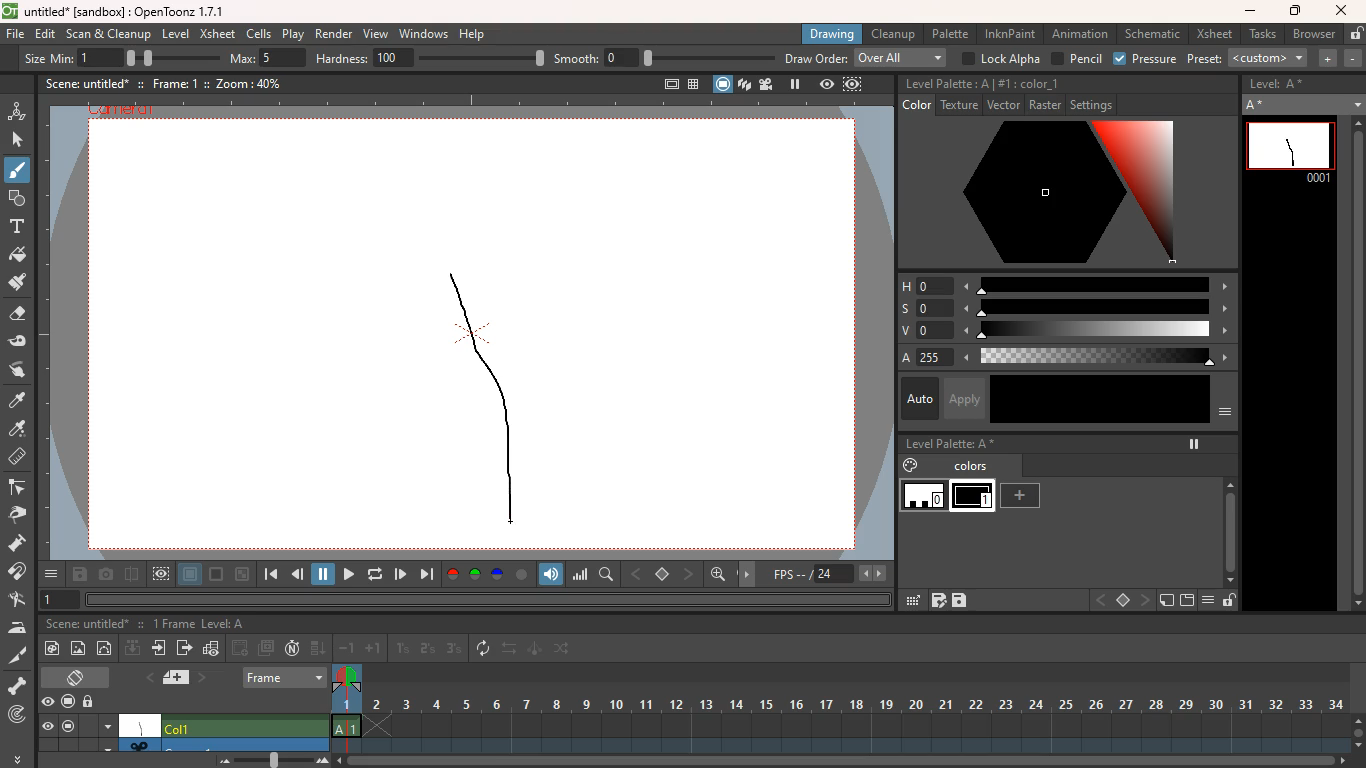 Image resolution: width=1366 pixels, height=768 pixels. What do you see at coordinates (84, 83) in the screenshot?
I see `scene: untitled` at bounding box center [84, 83].